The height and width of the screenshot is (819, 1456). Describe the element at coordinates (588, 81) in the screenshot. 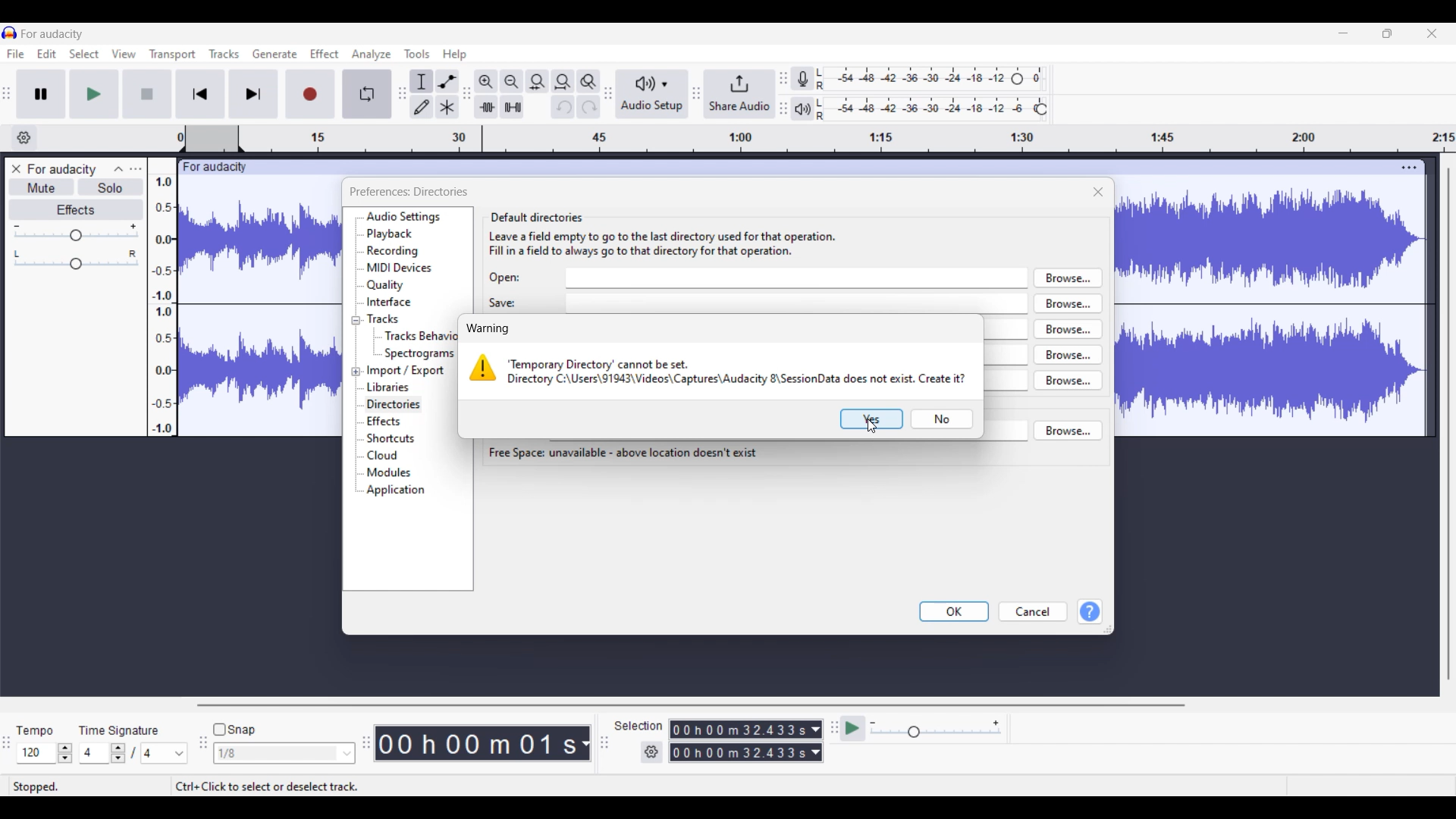

I see `Zoom toggle` at that location.